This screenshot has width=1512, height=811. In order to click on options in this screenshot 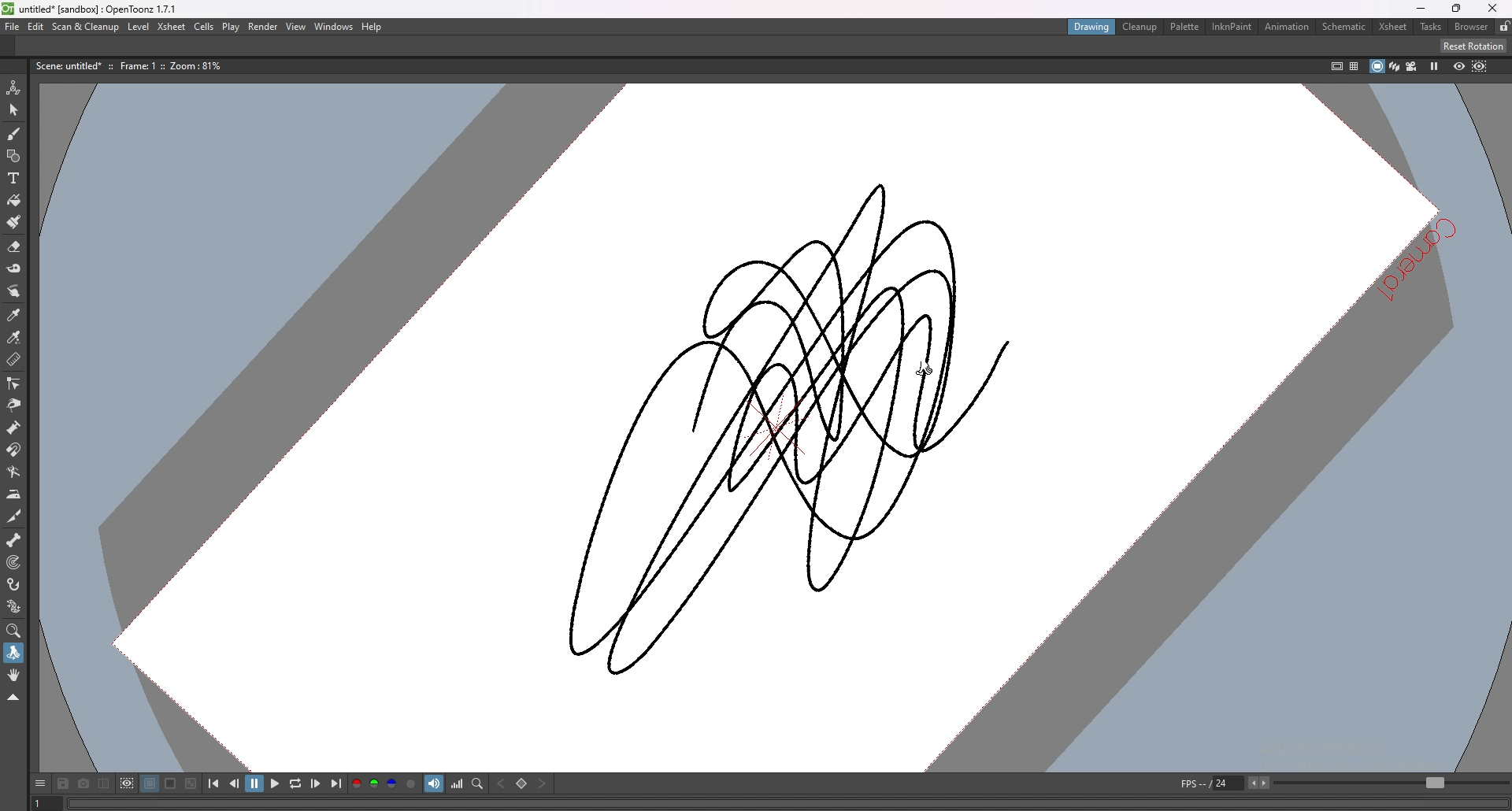, I will do `click(39, 784)`.